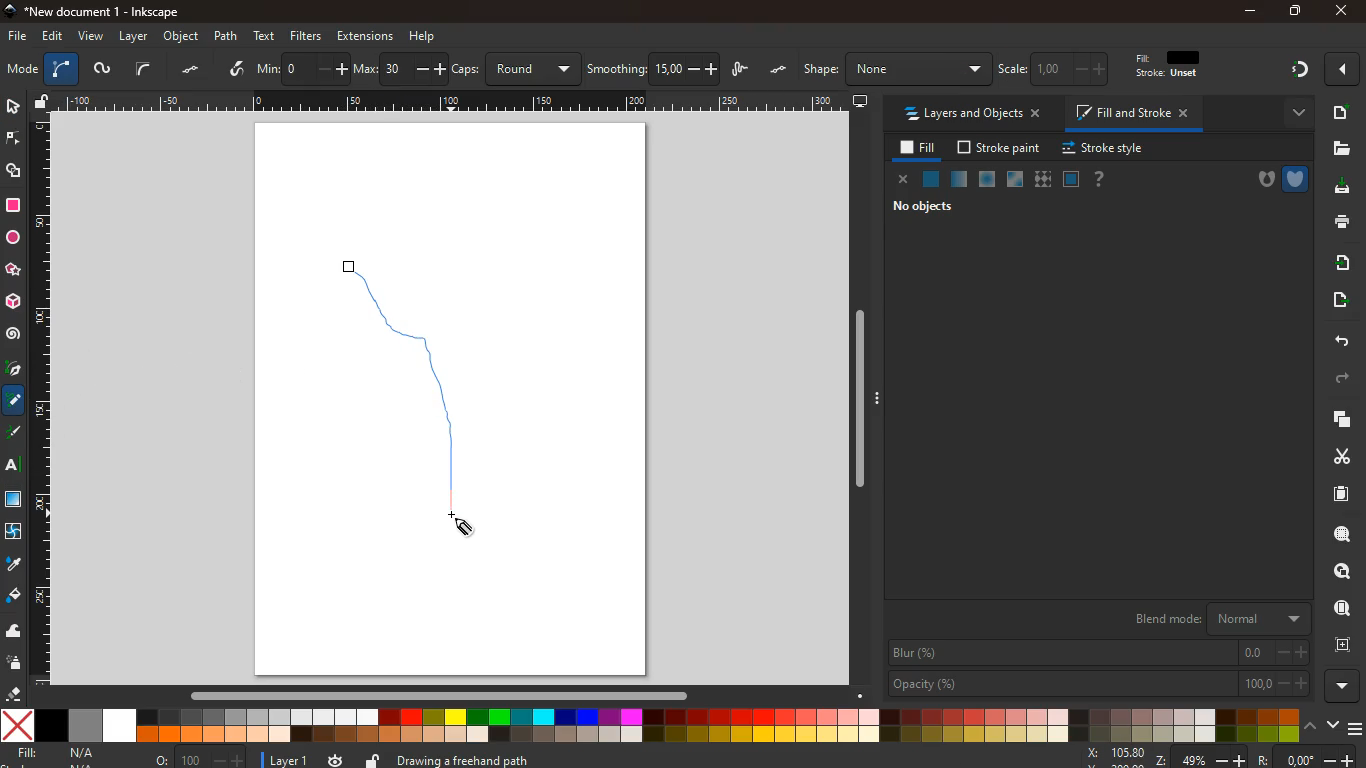 This screenshot has height=768, width=1366. Describe the element at coordinates (900, 179) in the screenshot. I see `close` at that location.